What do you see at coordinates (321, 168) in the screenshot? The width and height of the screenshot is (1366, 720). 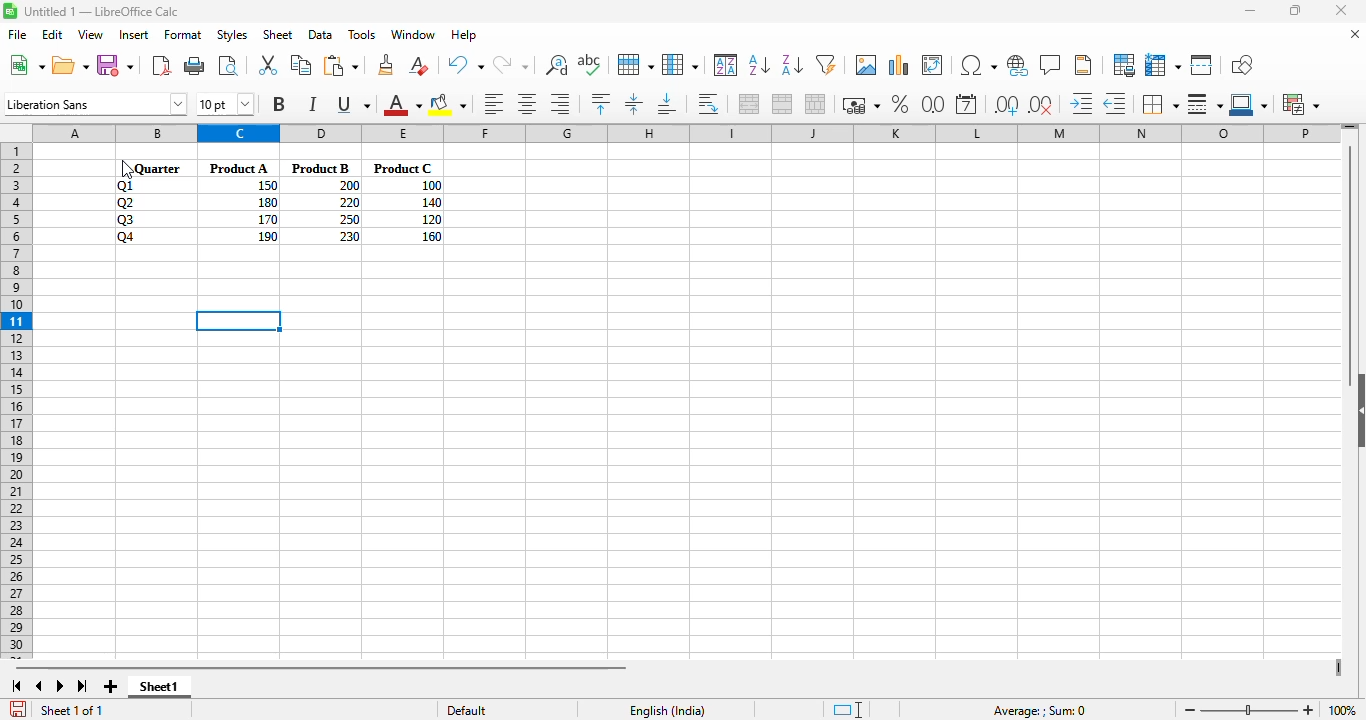 I see `Product B` at bounding box center [321, 168].